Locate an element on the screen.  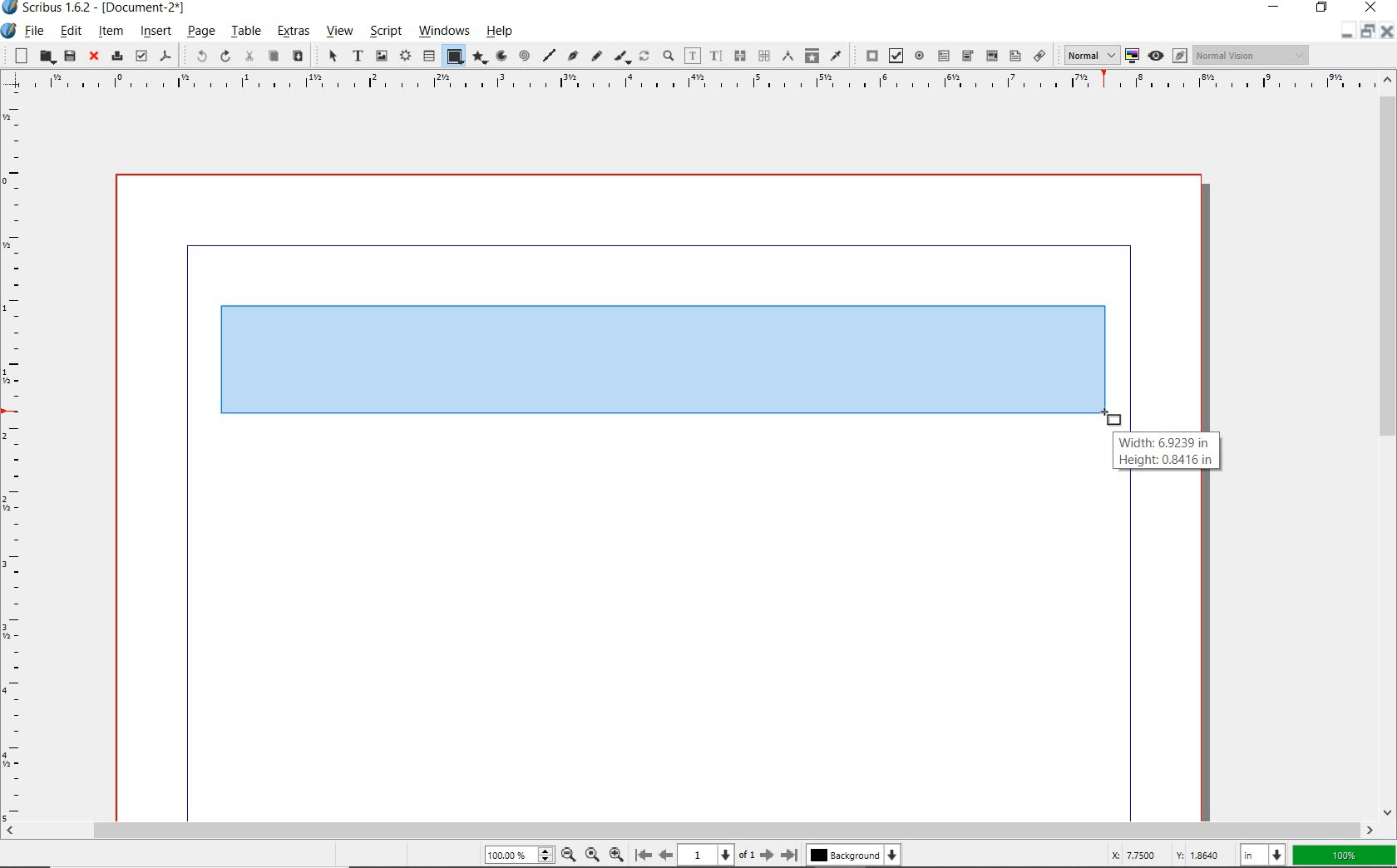
move to last is located at coordinates (792, 852).